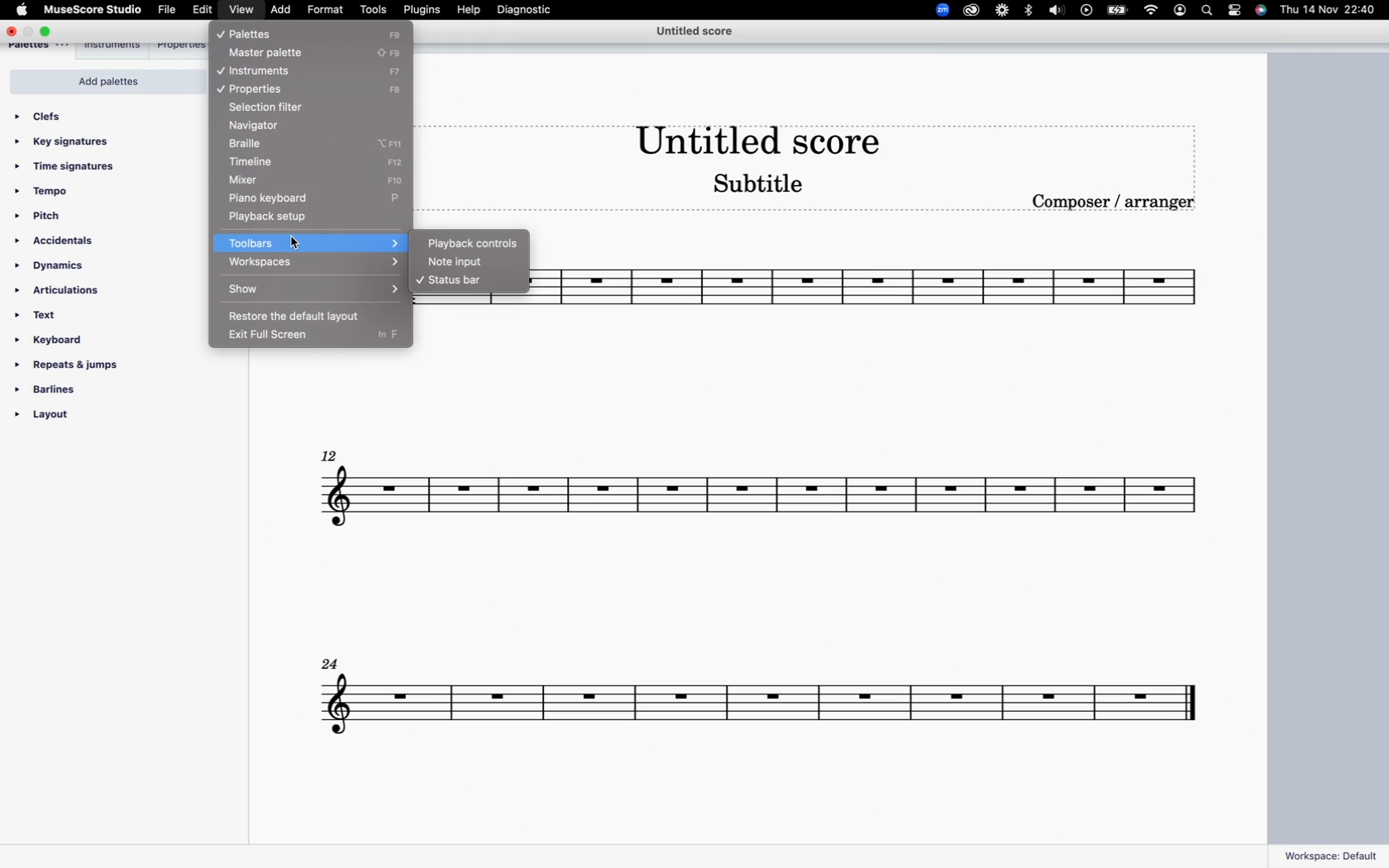 Image resolution: width=1389 pixels, height=868 pixels. I want to click on plugins, so click(424, 11).